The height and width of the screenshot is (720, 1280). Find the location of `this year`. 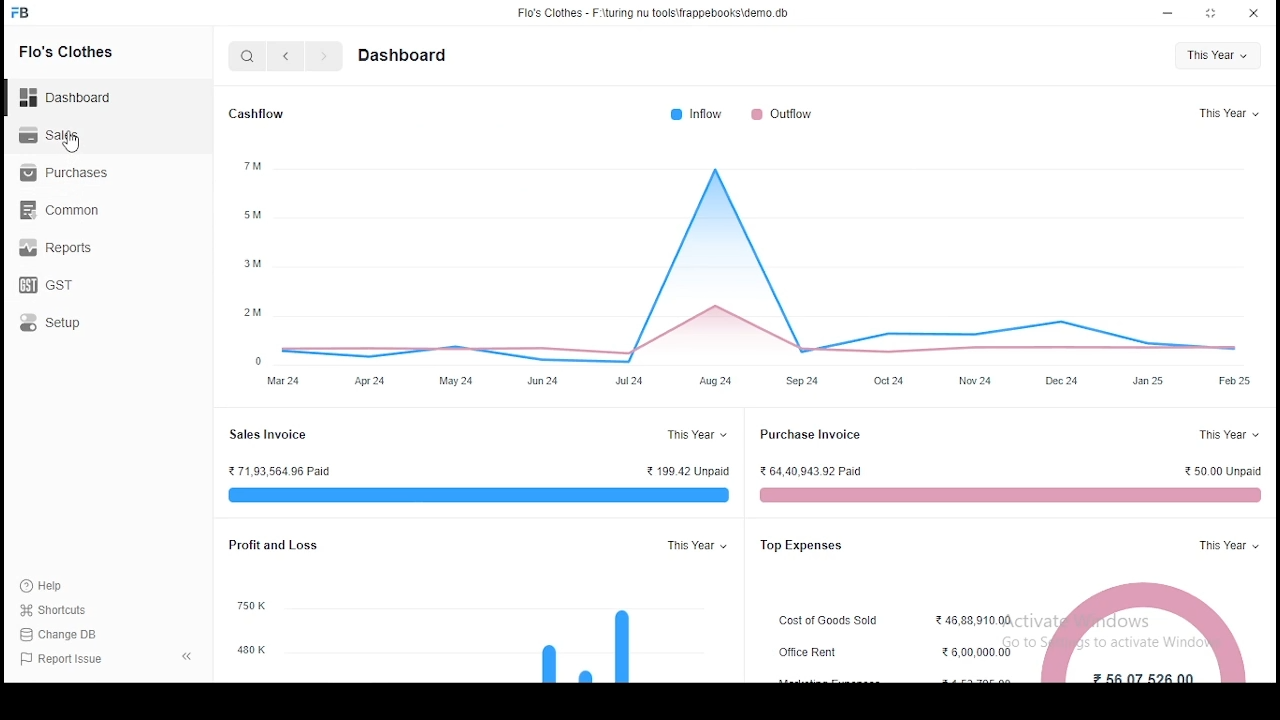

this year is located at coordinates (693, 434).